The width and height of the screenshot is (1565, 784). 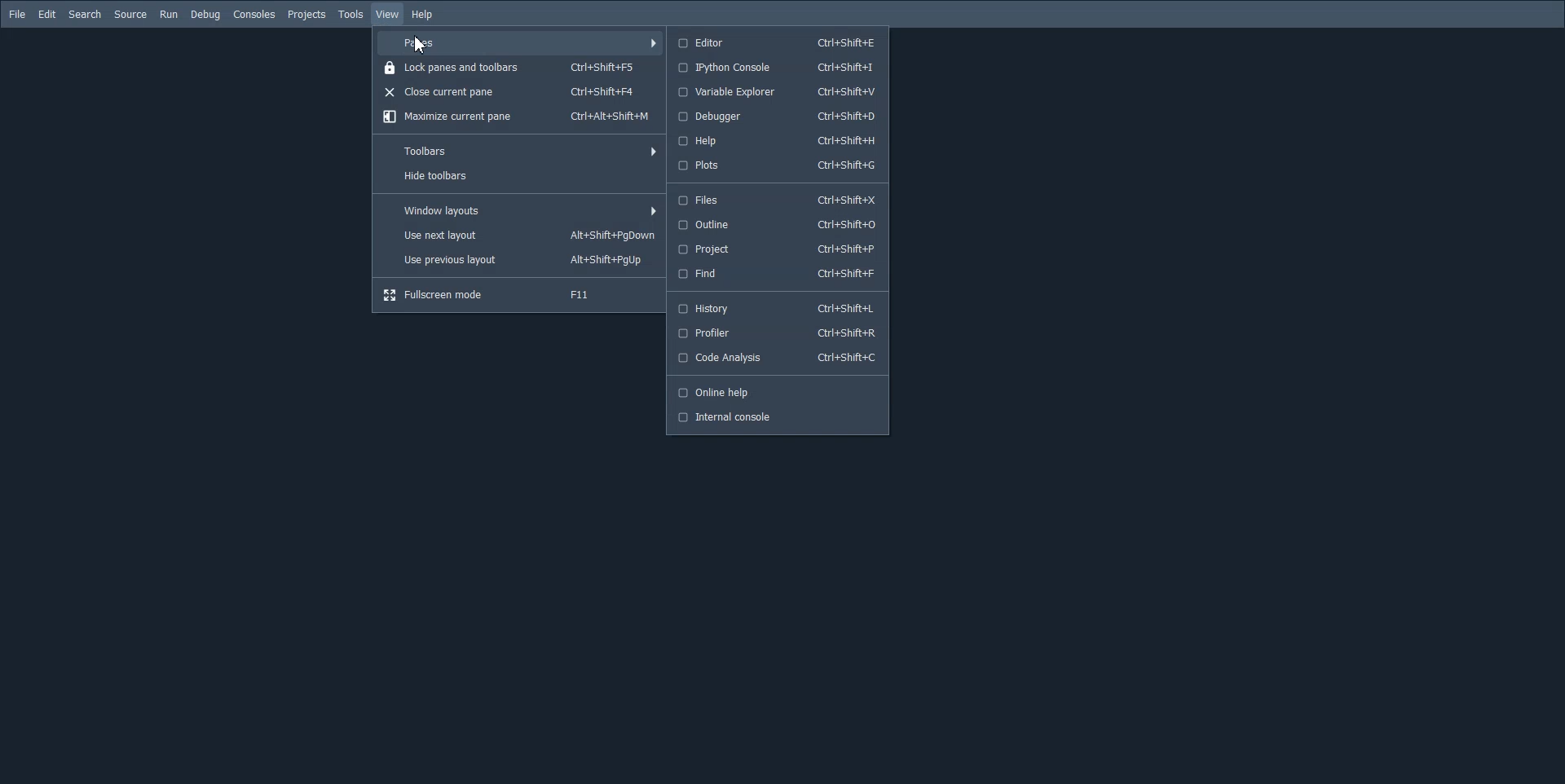 What do you see at coordinates (130, 14) in the screenshot?
I see `Source` at bounding box center [130, 14].